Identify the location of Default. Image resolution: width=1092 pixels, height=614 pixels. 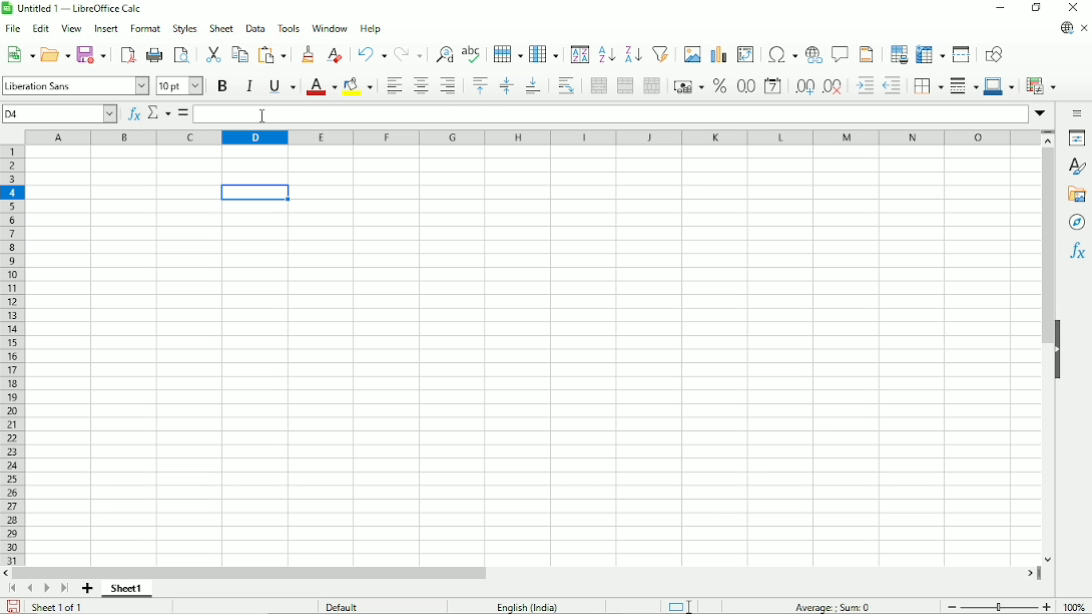
(340, 606).